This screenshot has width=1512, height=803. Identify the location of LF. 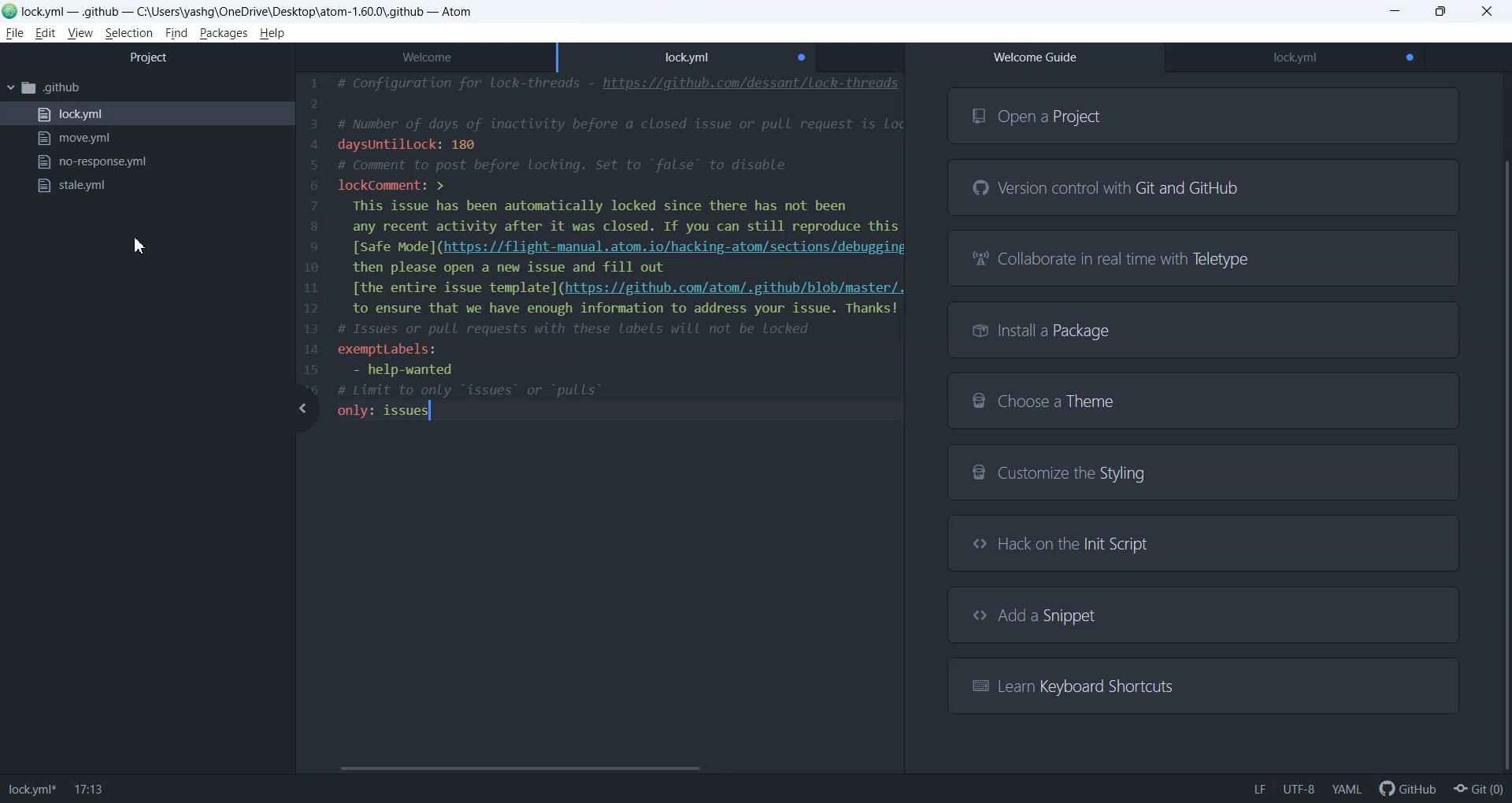
(1259, 789).